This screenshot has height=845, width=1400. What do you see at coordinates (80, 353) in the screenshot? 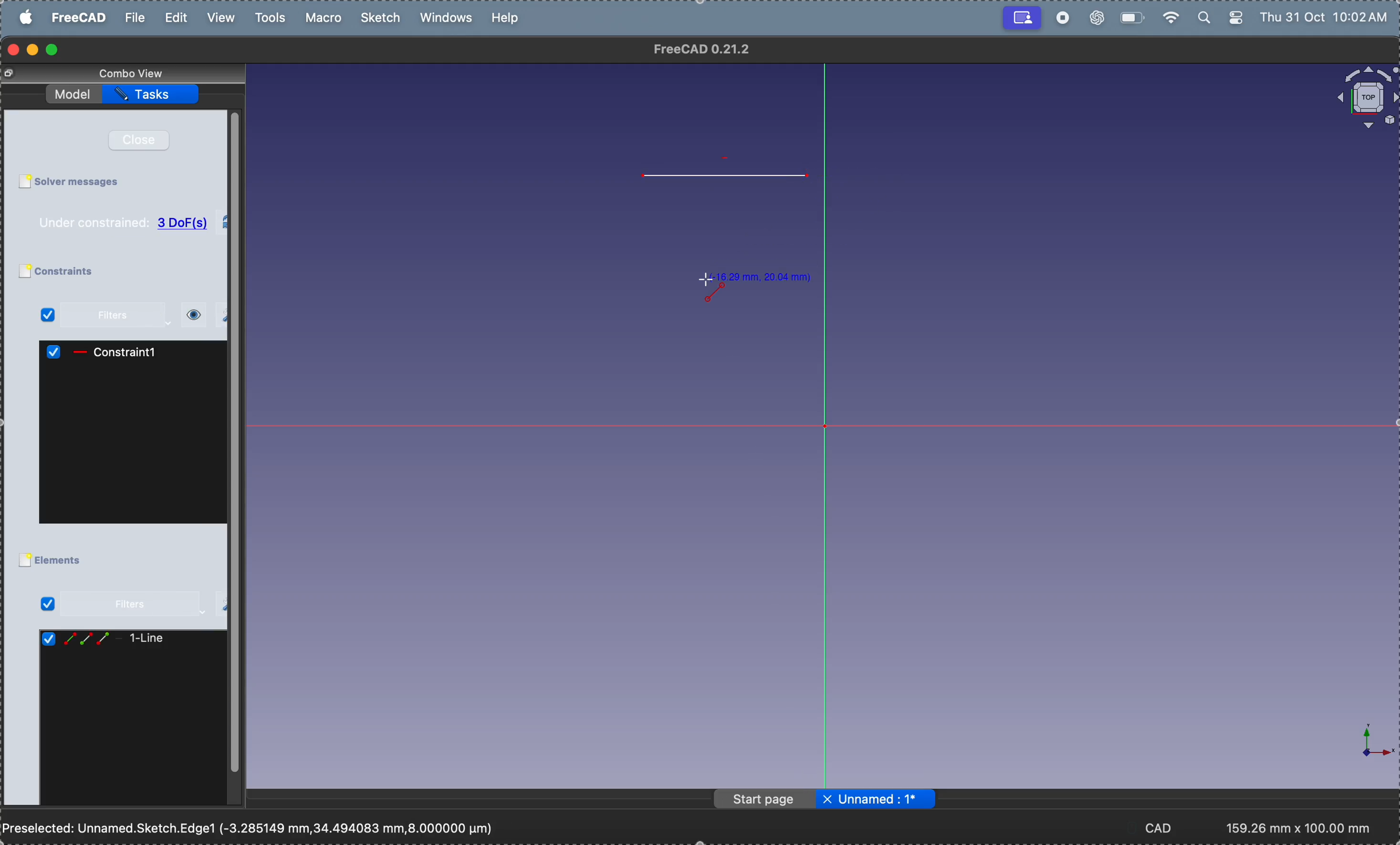
I see `icon` at bounding box center [80, 353].